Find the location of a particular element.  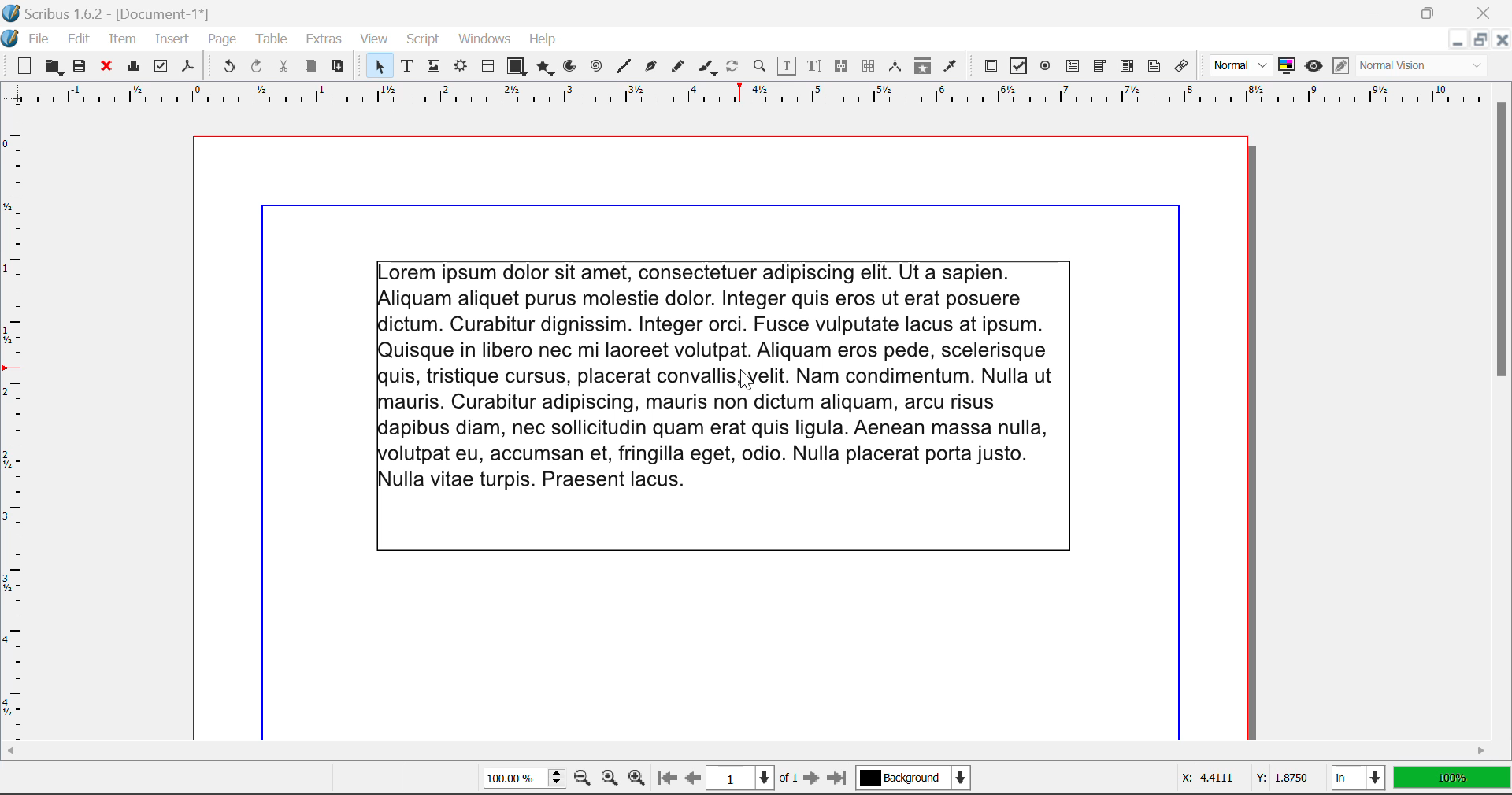

Print is located at coordinates (132, 66).